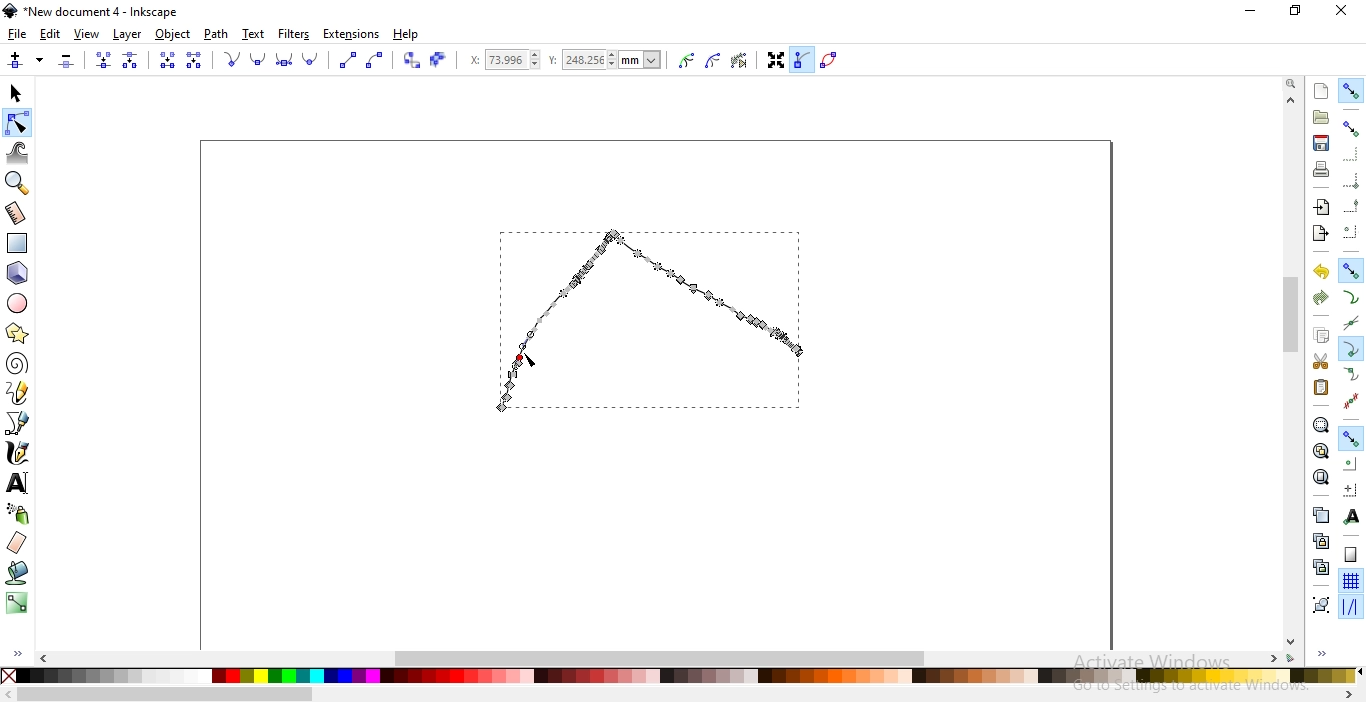  I want to click on create or edit gradients, so click(16, 603).